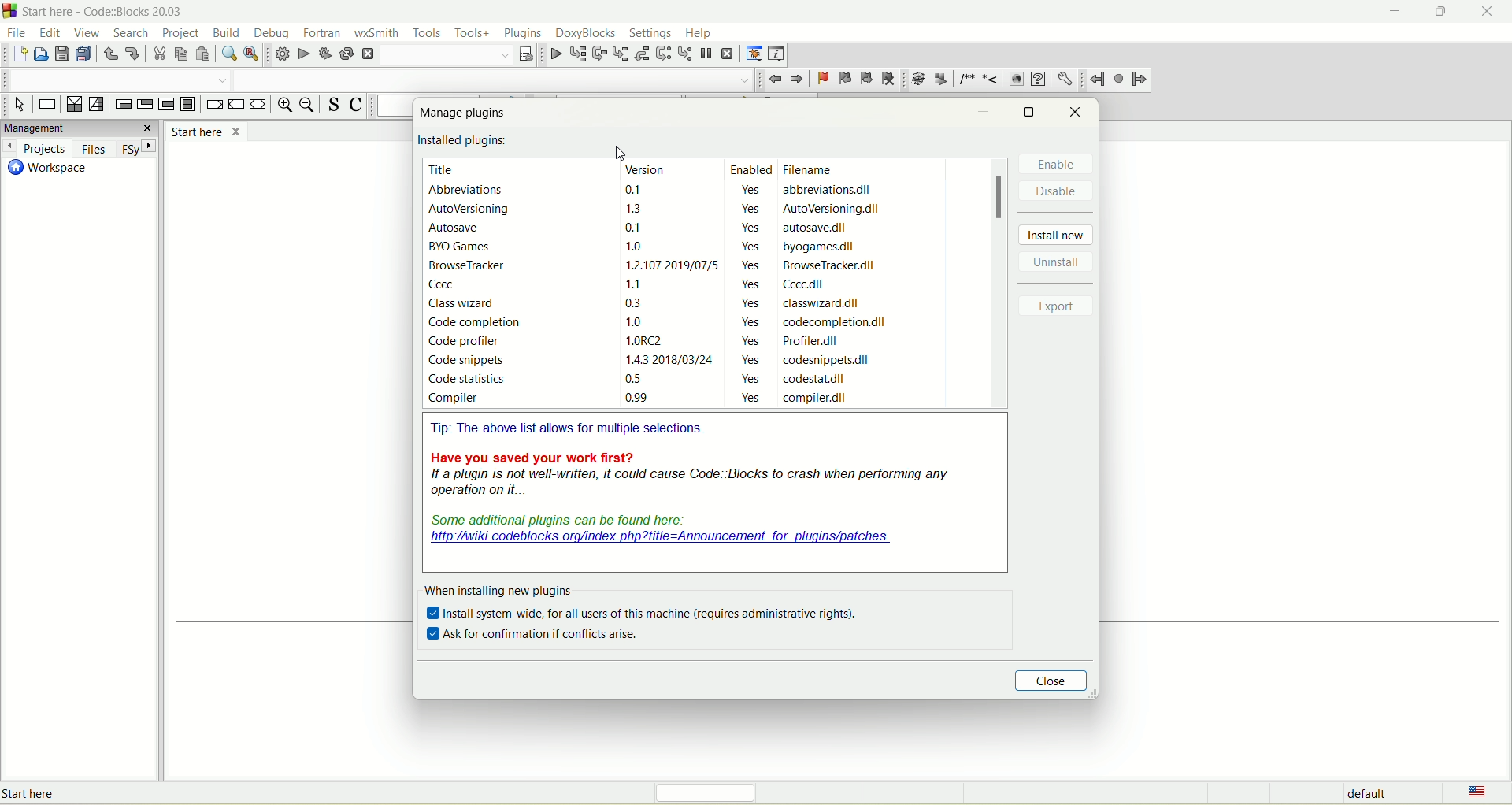 Image resolution: width=1512 pixels, height=805 pixels. What do you see at coordinates (598, 54) in the screenshot?
I see `next line` at bounding box center [598, 54].